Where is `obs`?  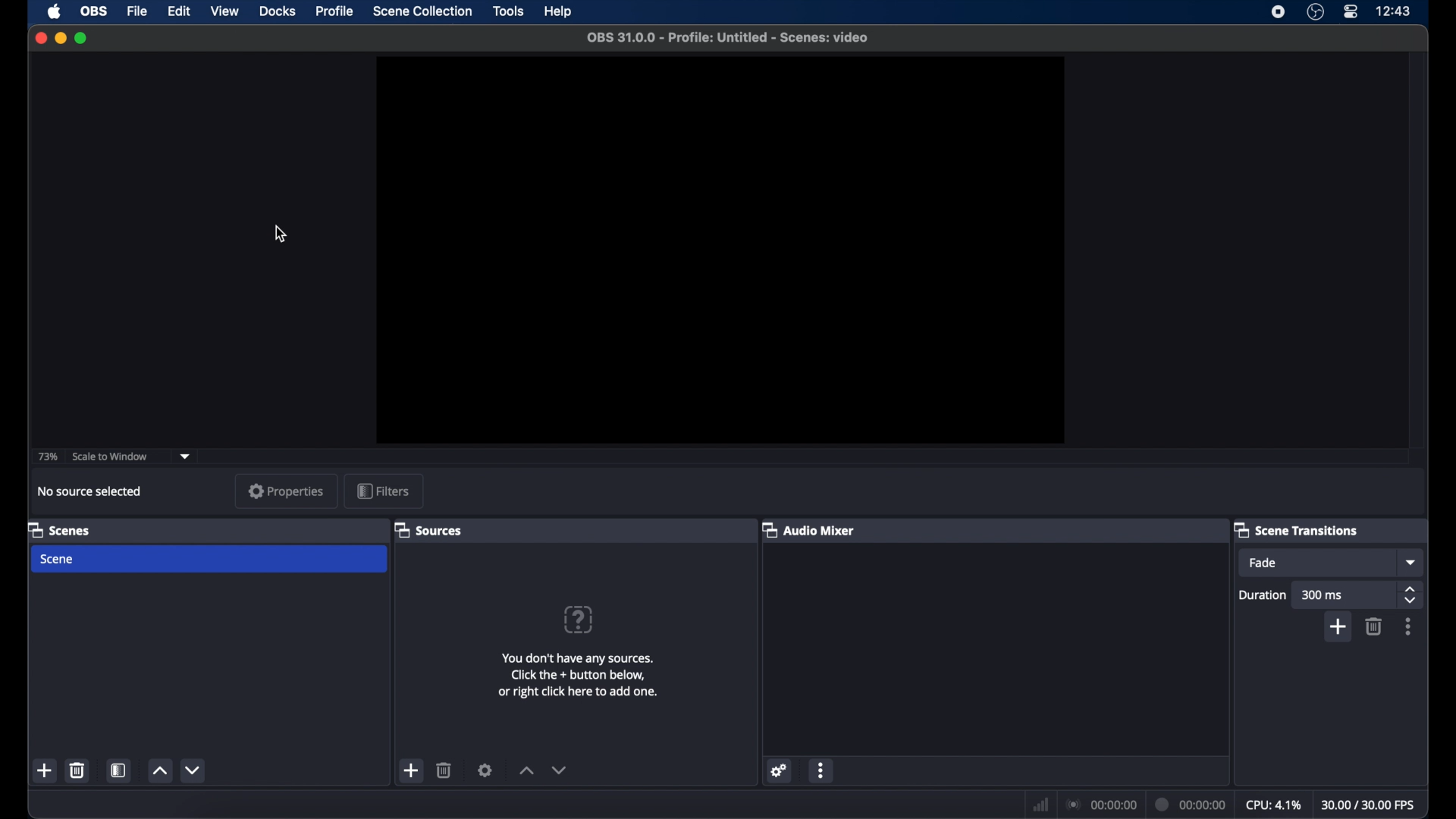 obs is located at coordinates (93, 11).